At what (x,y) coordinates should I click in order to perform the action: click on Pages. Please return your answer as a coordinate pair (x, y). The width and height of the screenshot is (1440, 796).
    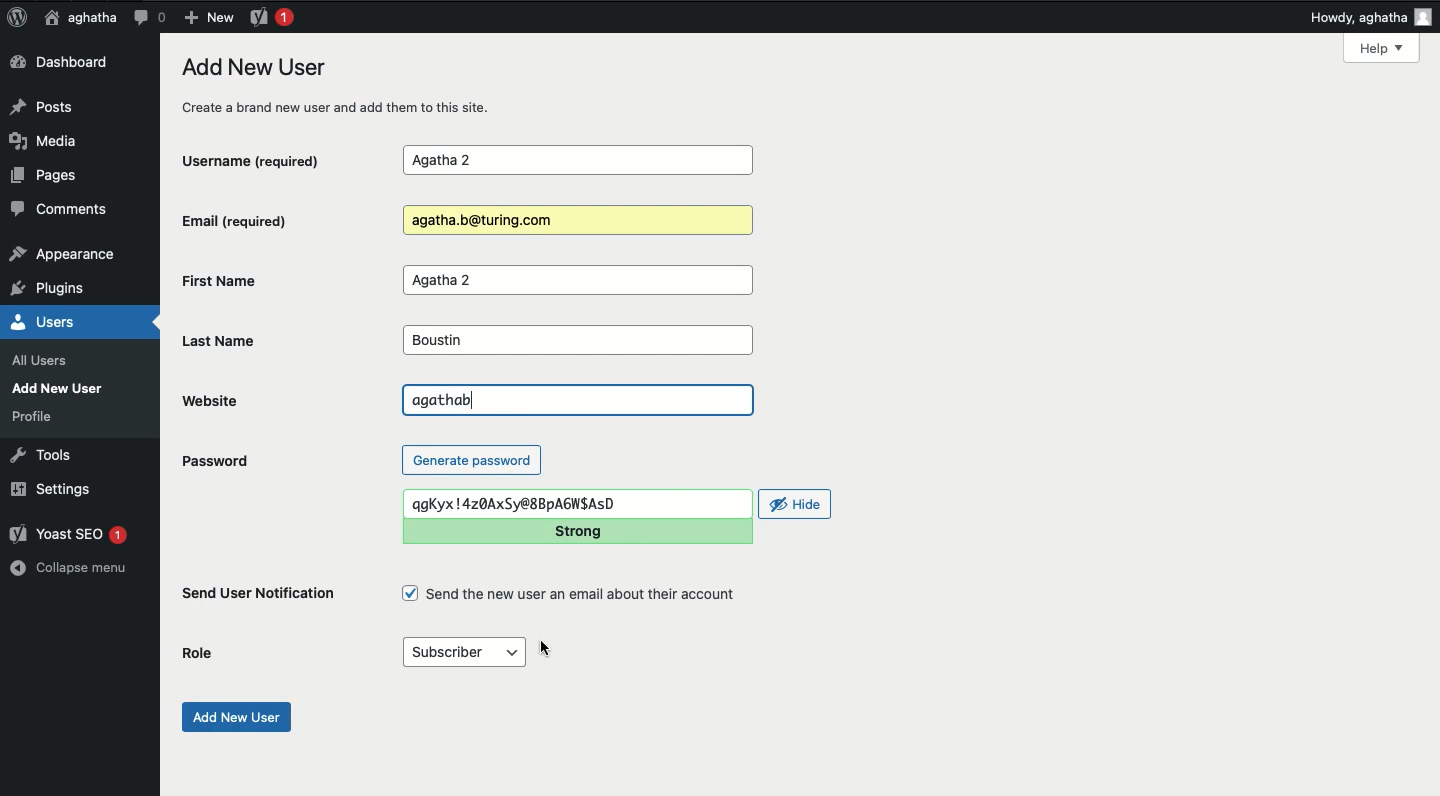
    Looking at the image, I should click on (50, 179).